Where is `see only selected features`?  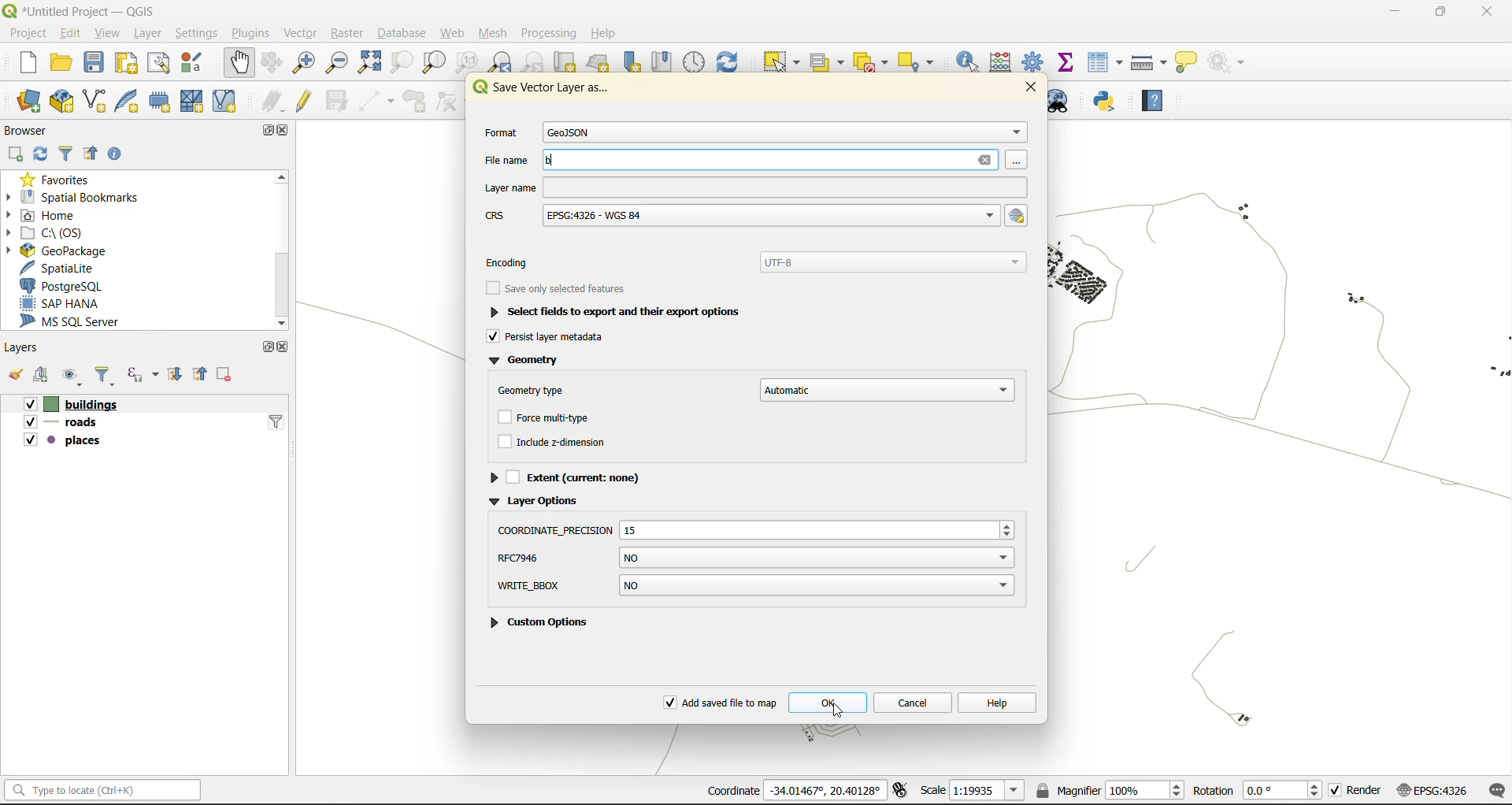 see only selected features is located at coordinates (561, 286).